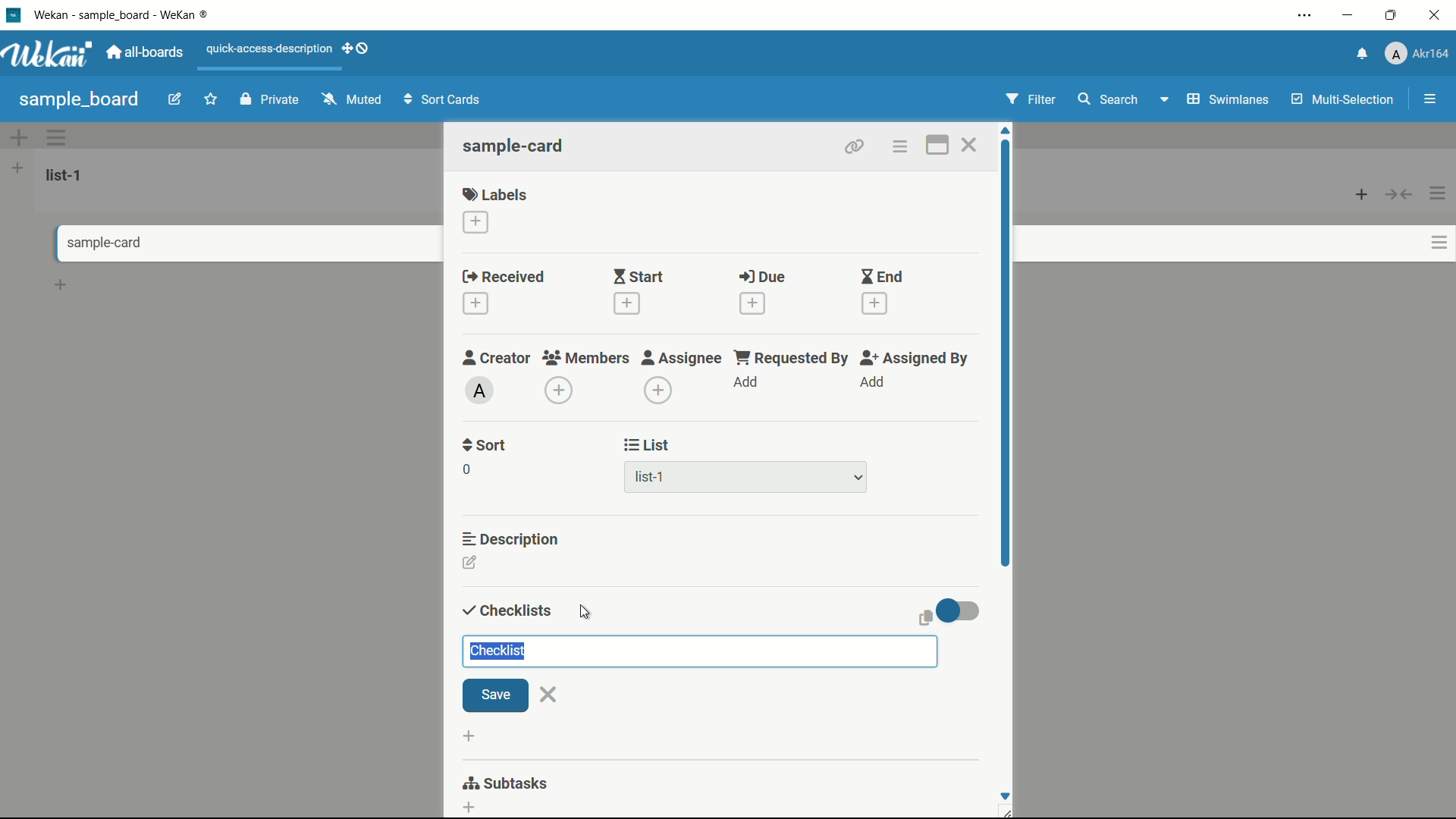  I want to click on collapse, so click(1400, 194).